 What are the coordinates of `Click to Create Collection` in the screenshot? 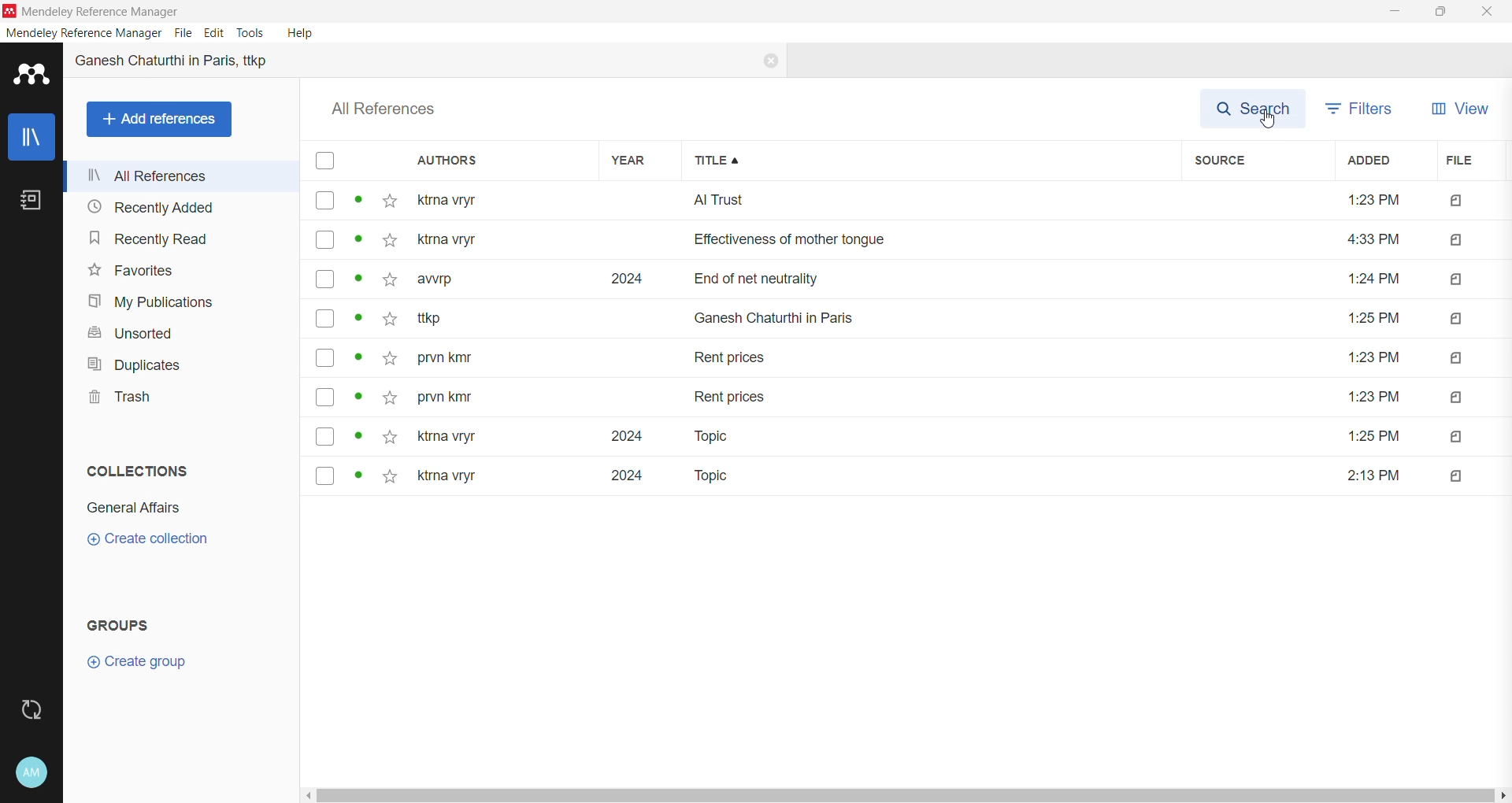 It's located at (148, 540).